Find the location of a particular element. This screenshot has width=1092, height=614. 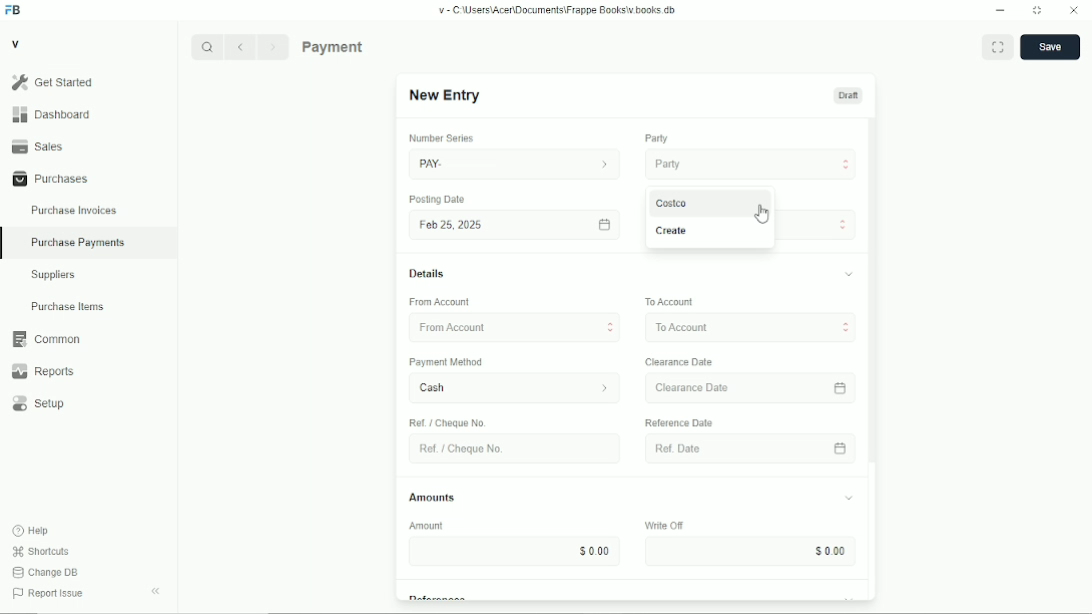

Suppliers is located at coordinates (89, 275).